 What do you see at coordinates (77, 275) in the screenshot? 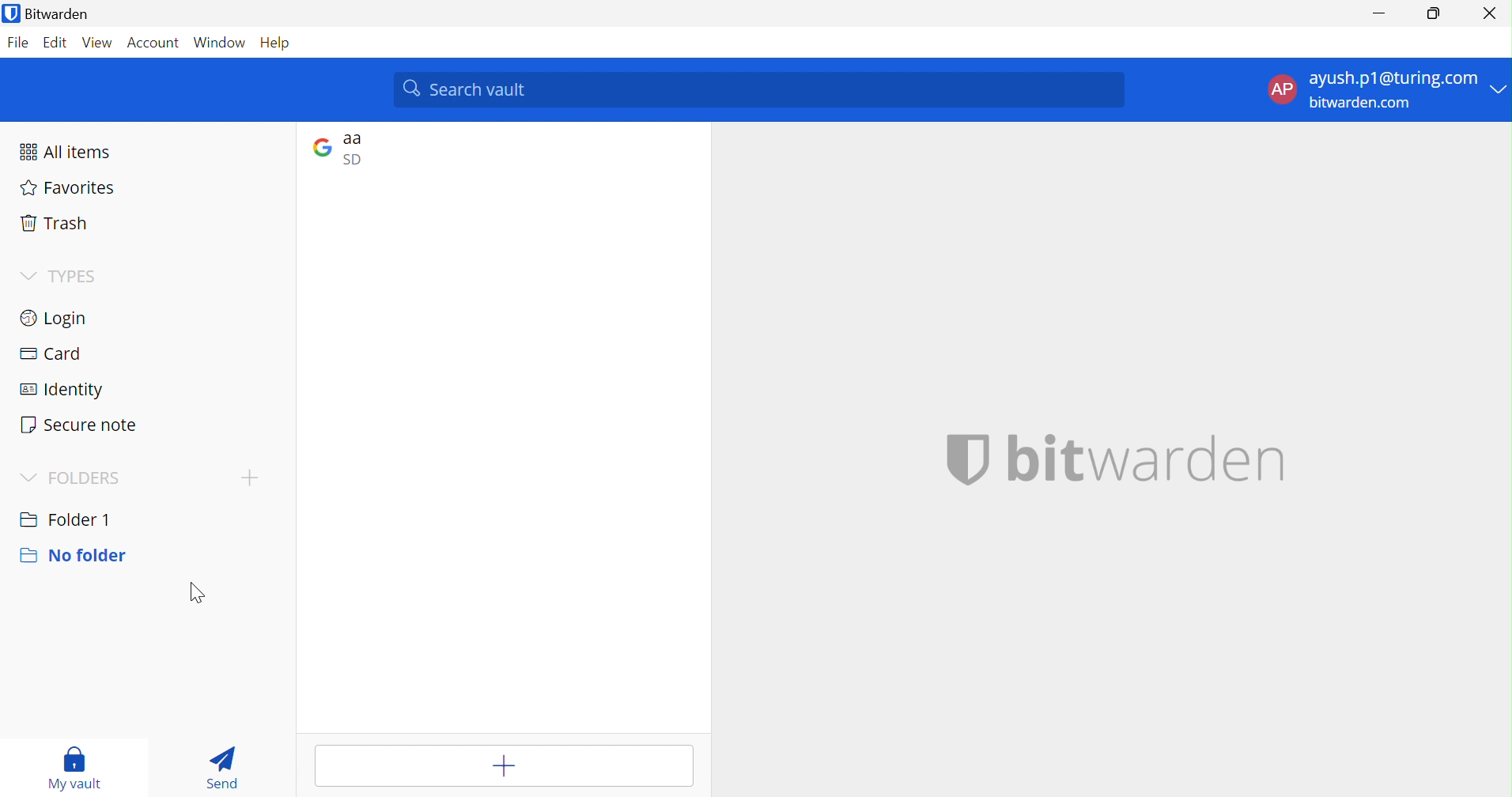
I see `TYPES` at bounding box center [77, 275].